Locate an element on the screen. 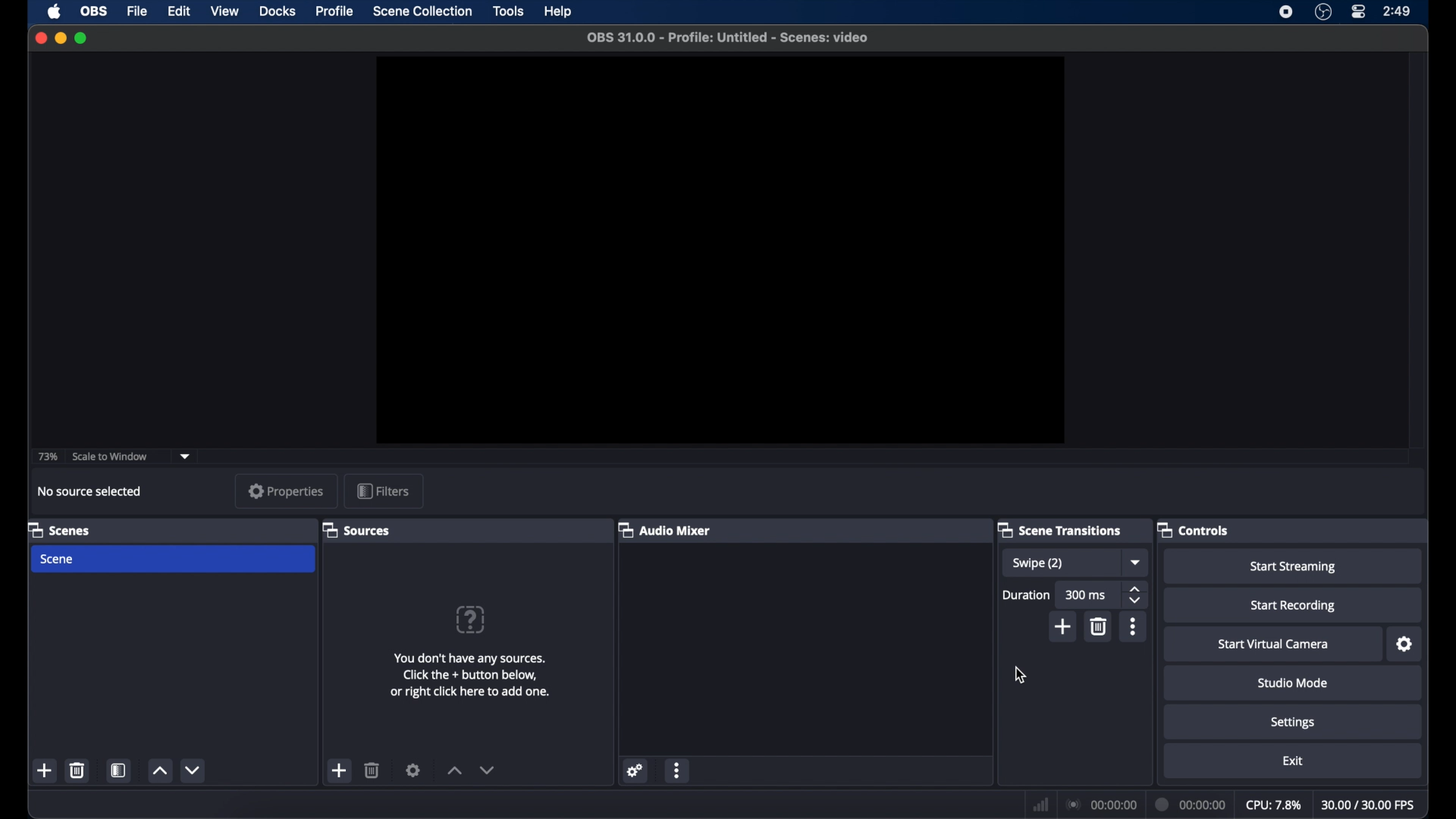 The height and width of the screenshot is (819, 1456). filters is located at coordinates (384, 491).